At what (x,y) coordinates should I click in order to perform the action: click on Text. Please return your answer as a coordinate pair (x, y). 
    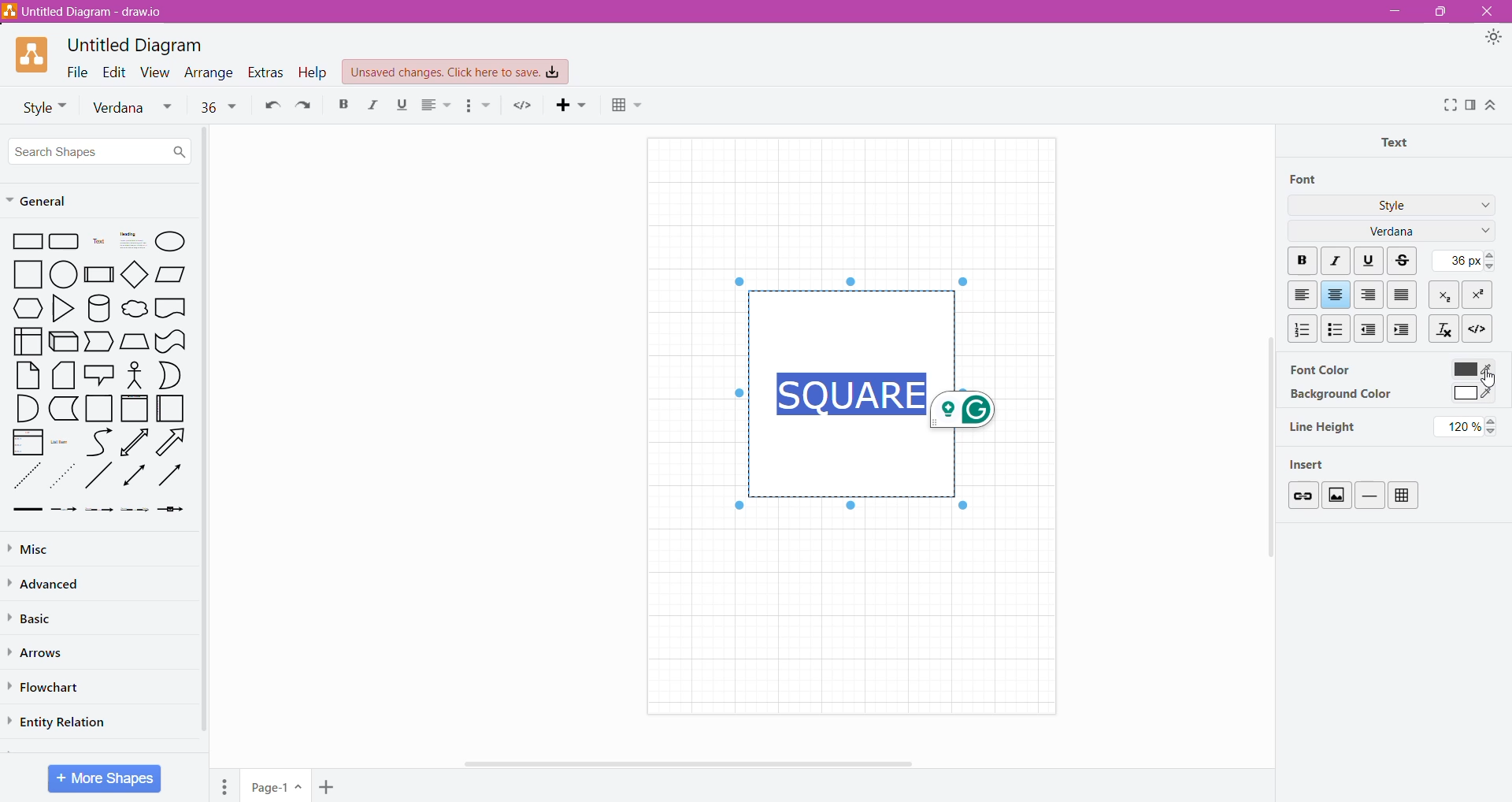
    Looking at the image, I should click on (1399, 141).